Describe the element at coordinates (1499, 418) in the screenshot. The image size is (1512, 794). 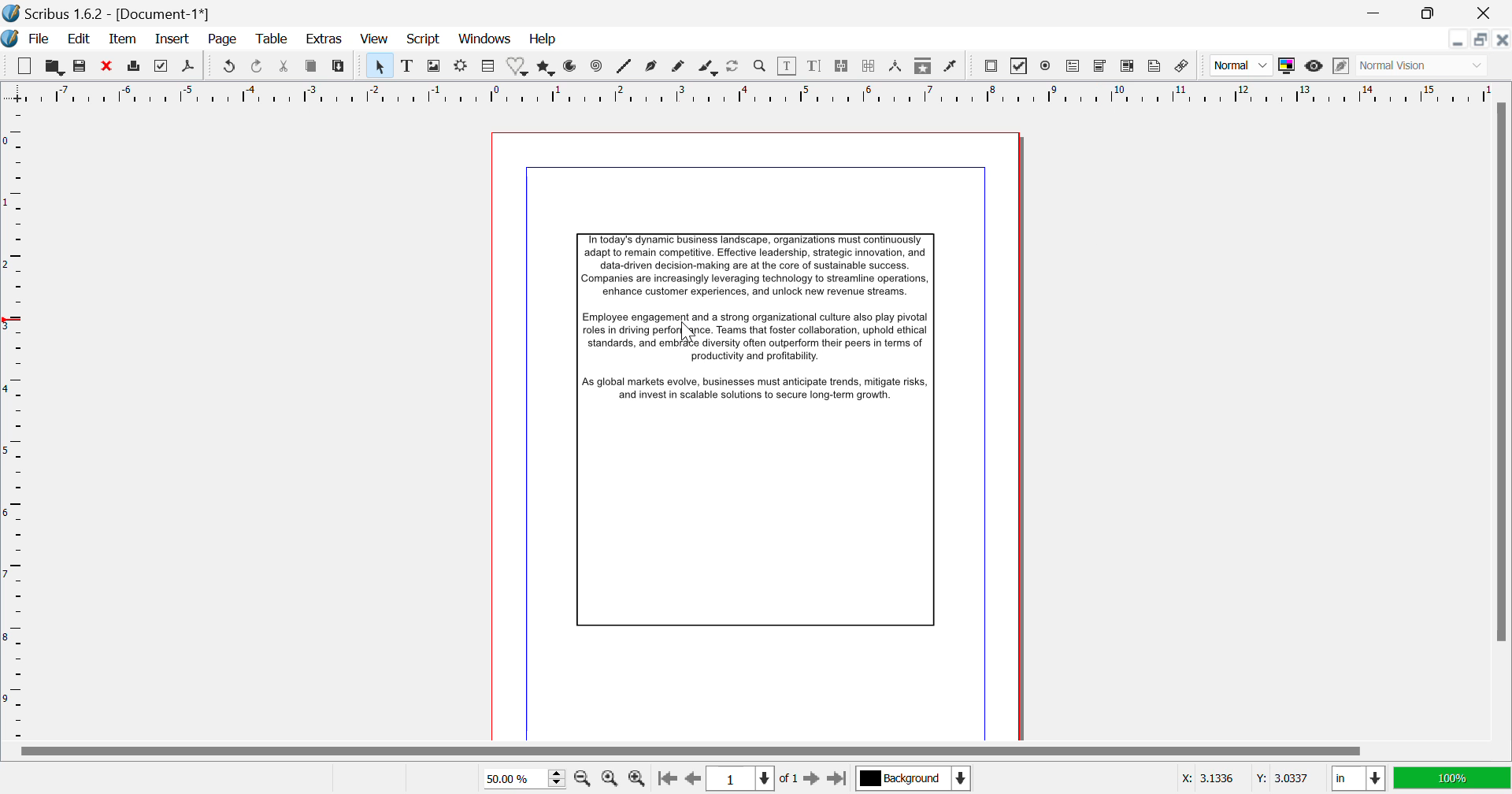
I see `Scroll Bar` at that location.